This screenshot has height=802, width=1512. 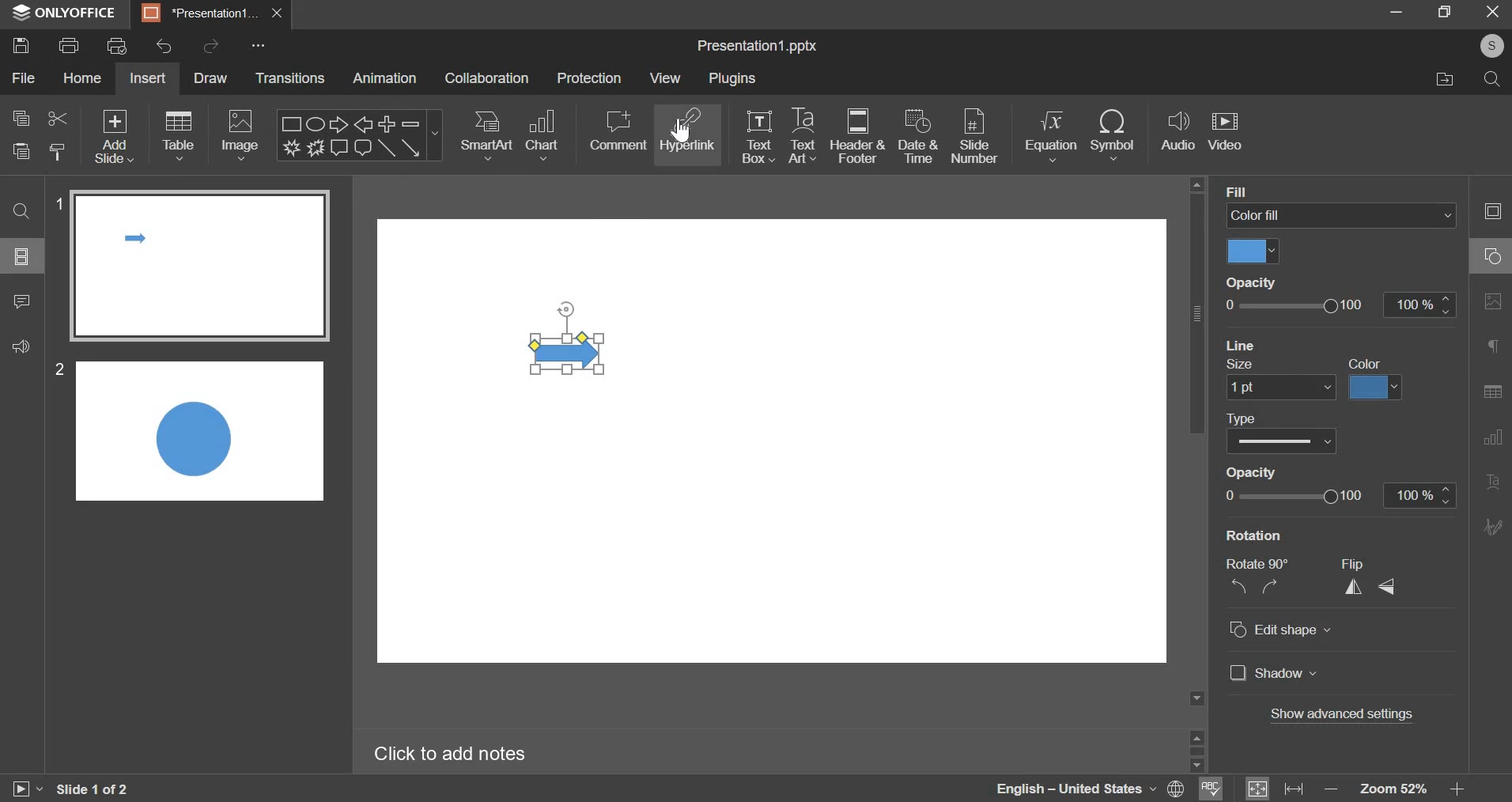 What do you see at coordinates (56, 204) in the screenshot?
I see `1` at bounding box center [56, 204].